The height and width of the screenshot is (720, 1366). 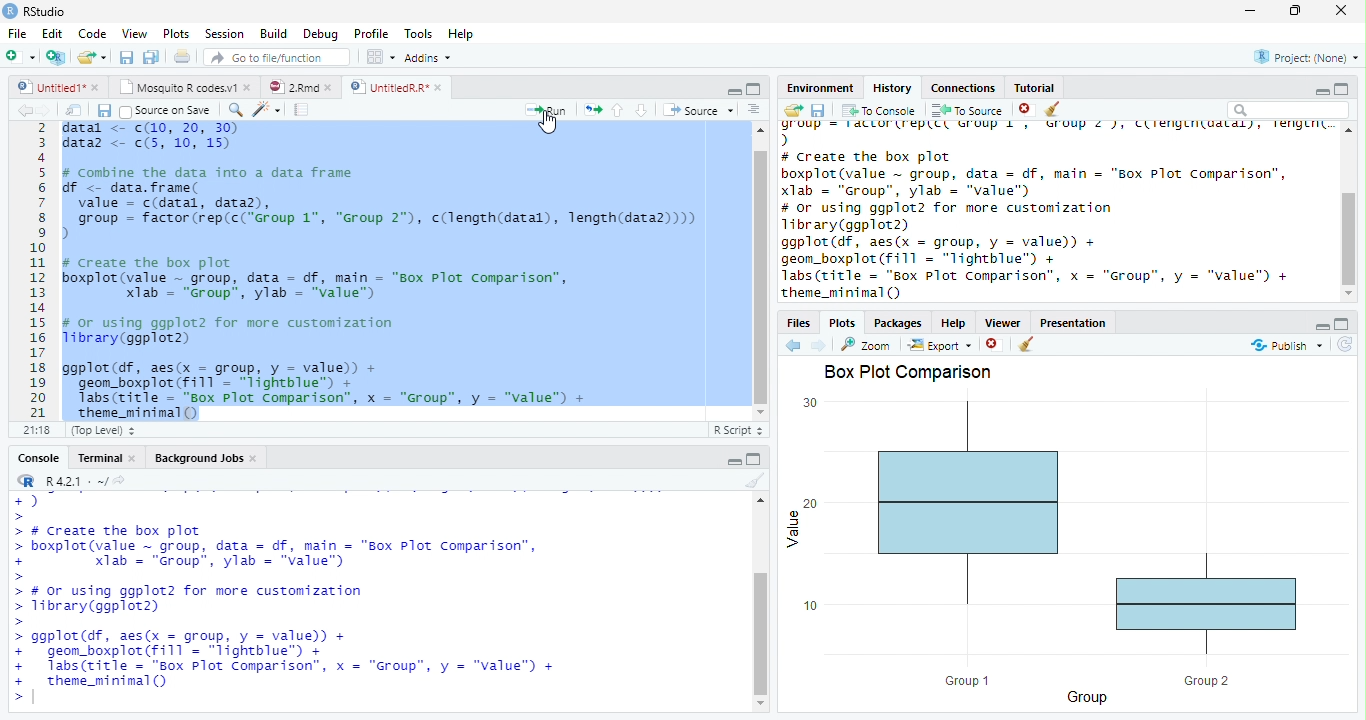 What do you see at coordinates (1289, 111) in the screenshot?
I see `Search bar` at bounding box center [1289, 111].